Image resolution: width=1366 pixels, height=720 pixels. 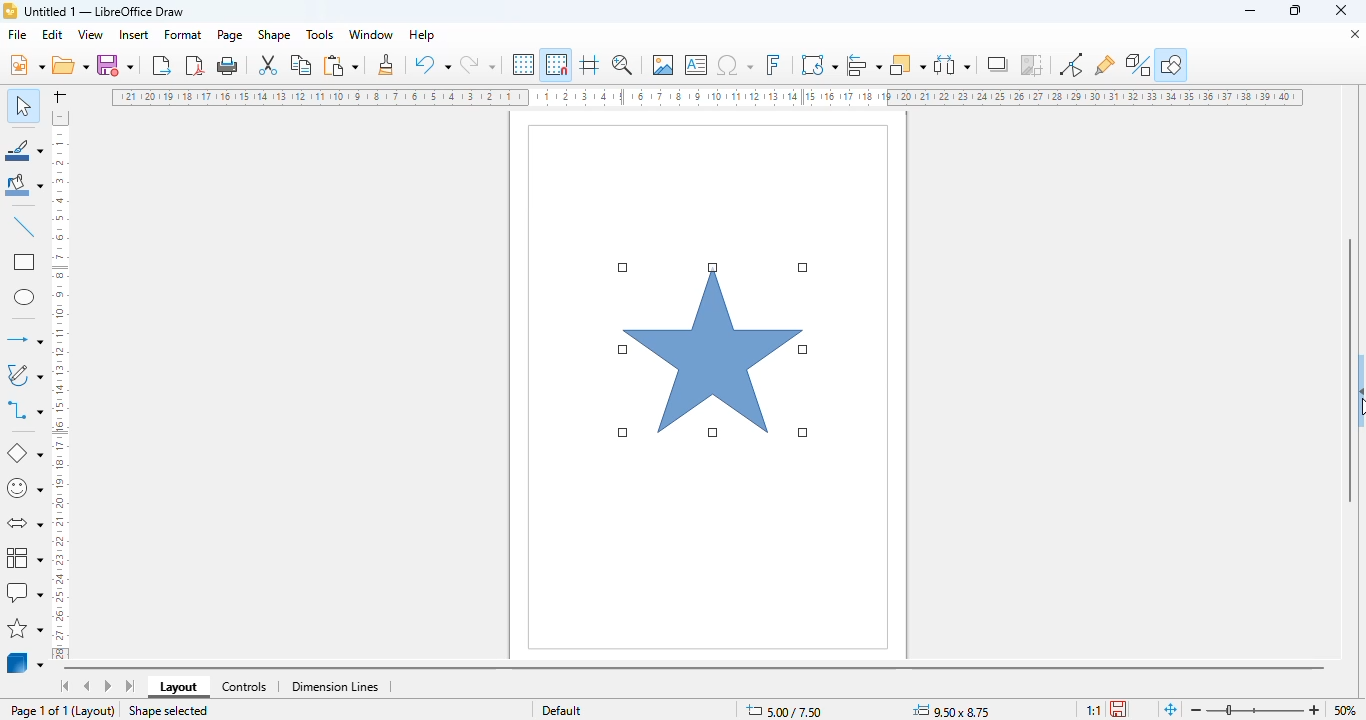 What do you see at coordinates (178, 687) in the screenshot?
I see `layout` at bounding box center [178, 687].